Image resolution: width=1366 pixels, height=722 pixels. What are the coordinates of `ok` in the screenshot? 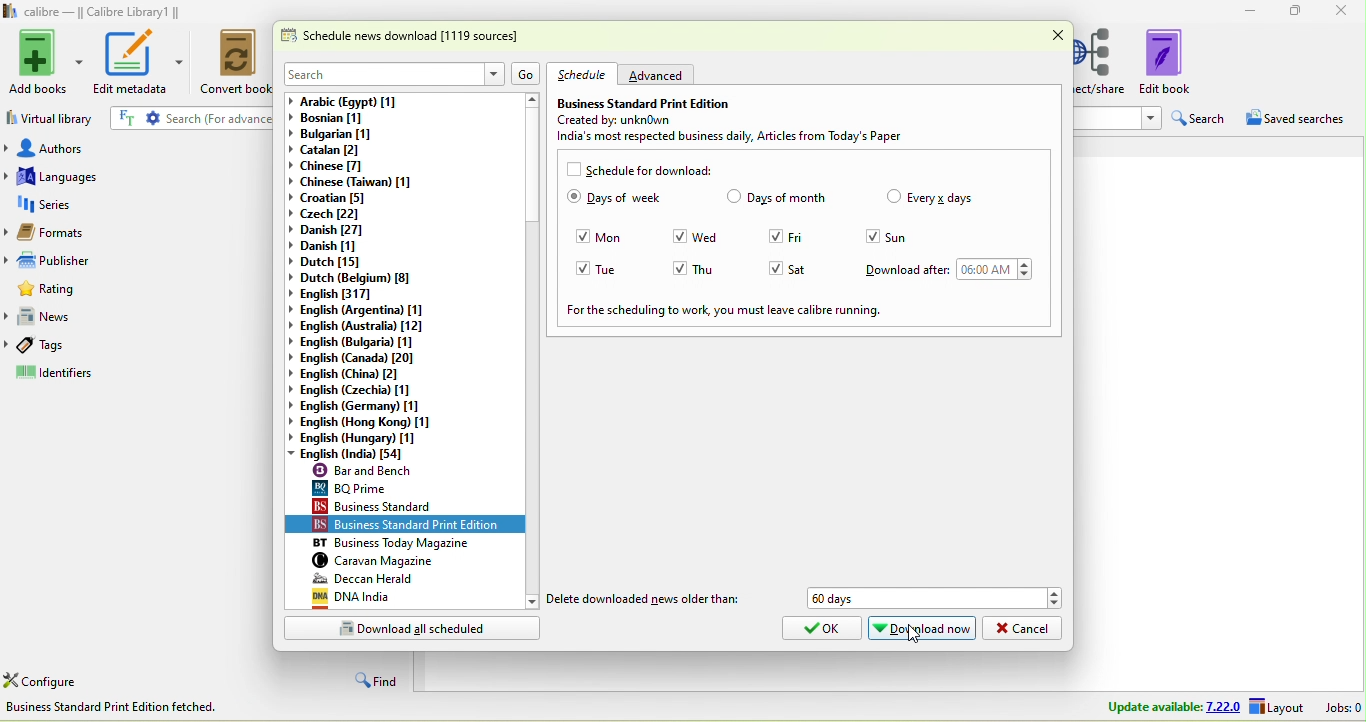 It's located at (818, 629).